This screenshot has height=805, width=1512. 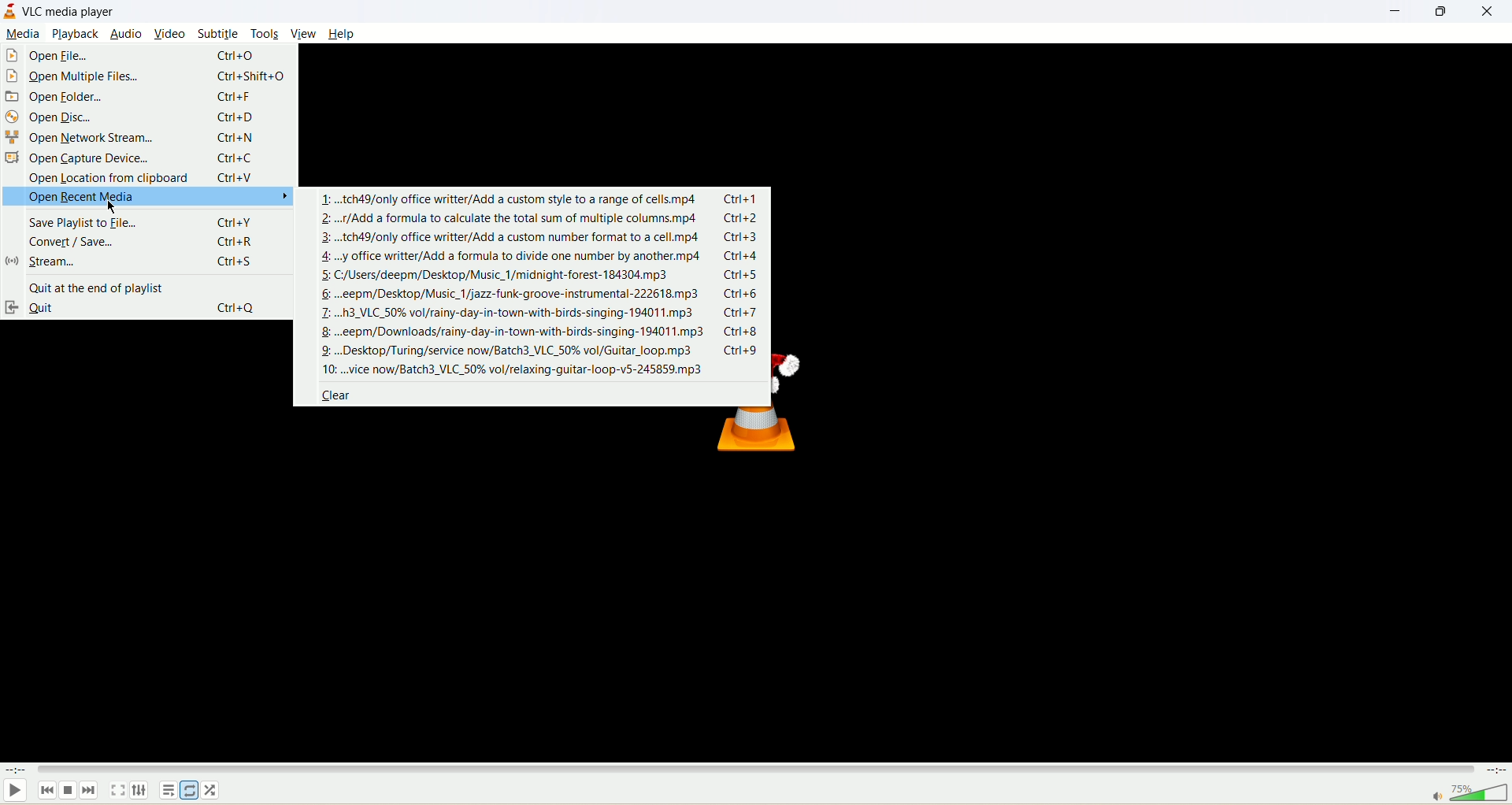 What do you see at coordinates (1461, 793) in the screenshot?
I see `volume bar` at bounding box center [1461, 793].